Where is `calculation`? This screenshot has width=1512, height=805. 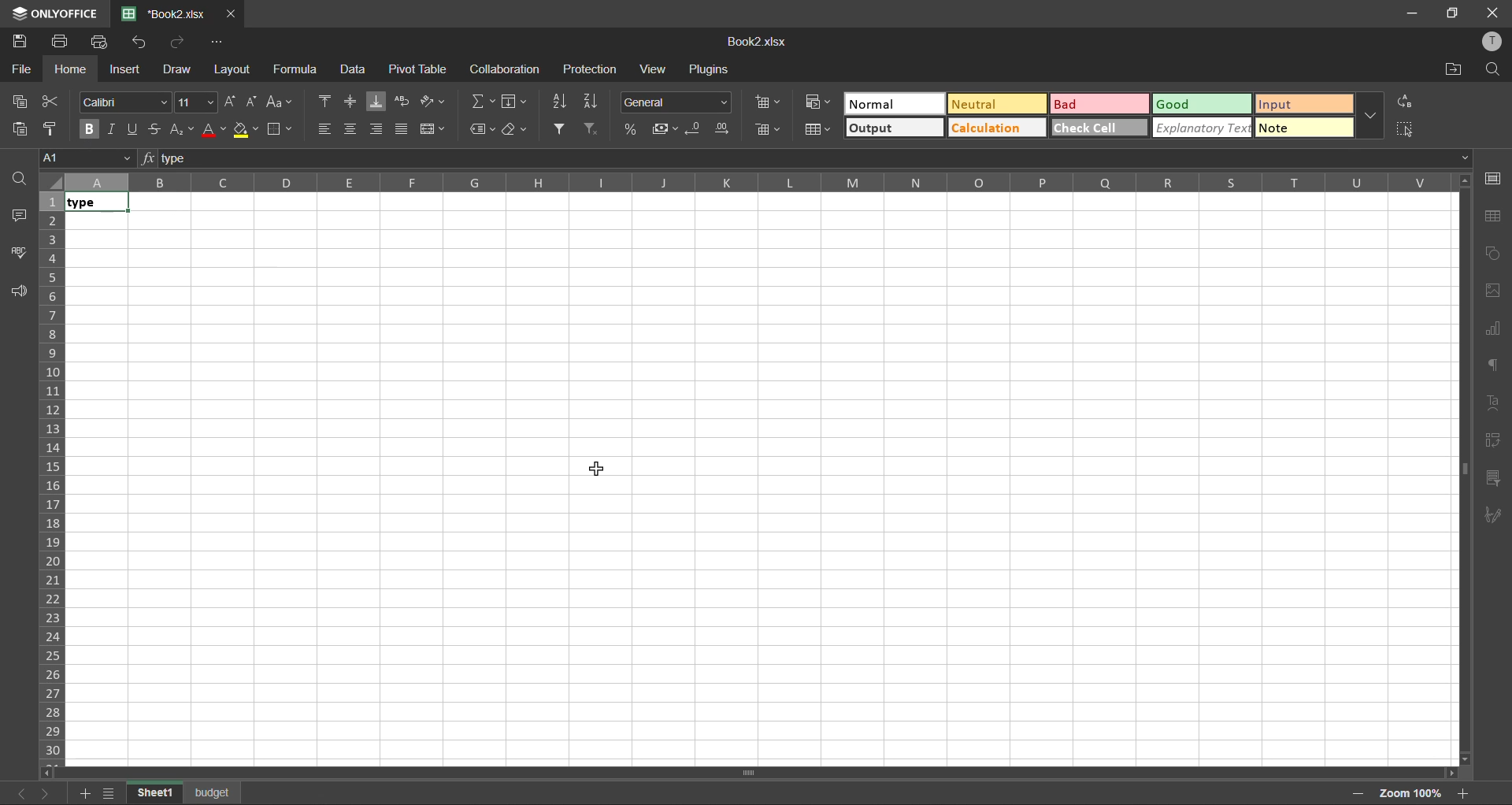 calculation is located at coordinates (995, 128).